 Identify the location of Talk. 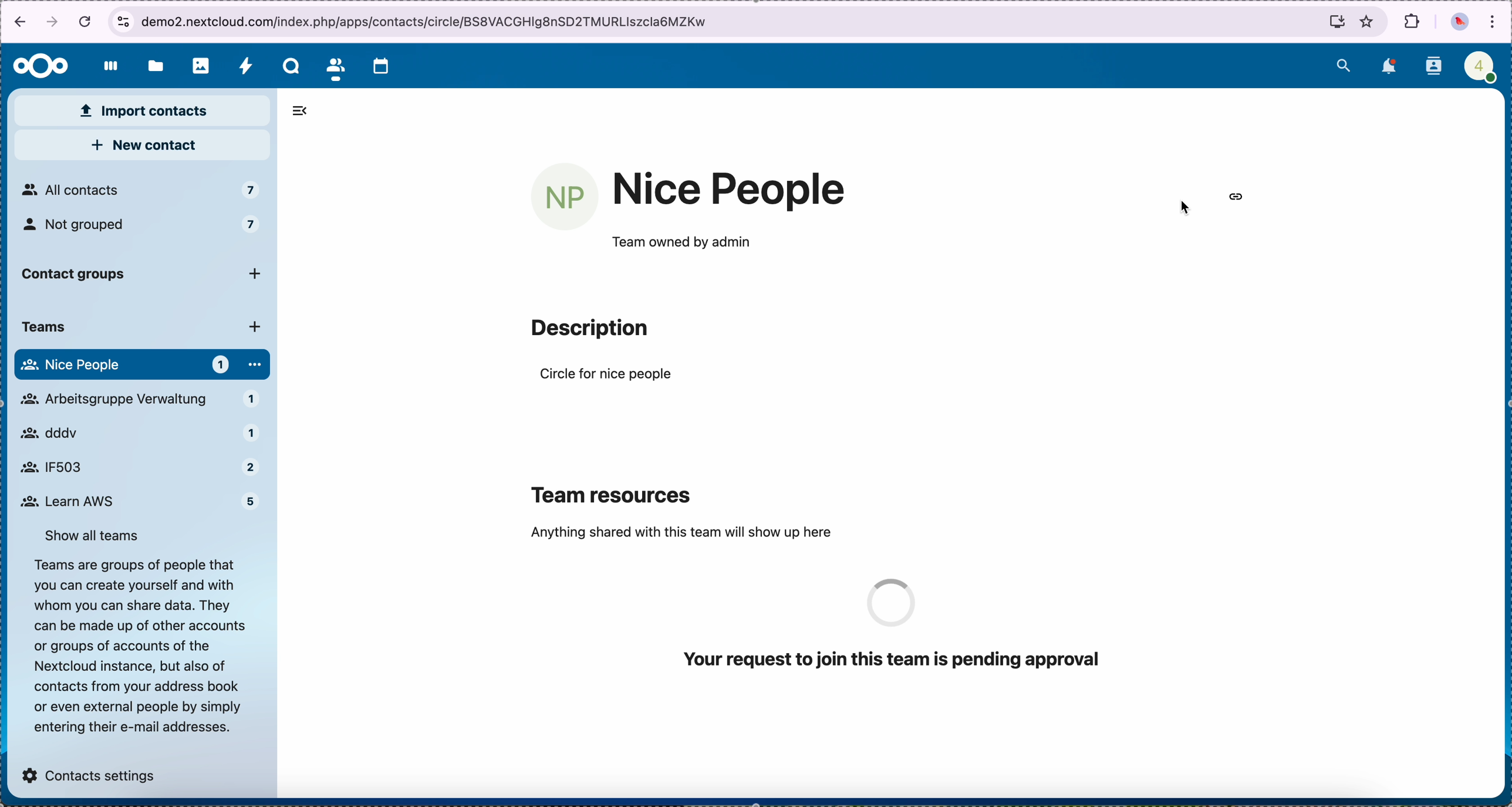
(288, 66).